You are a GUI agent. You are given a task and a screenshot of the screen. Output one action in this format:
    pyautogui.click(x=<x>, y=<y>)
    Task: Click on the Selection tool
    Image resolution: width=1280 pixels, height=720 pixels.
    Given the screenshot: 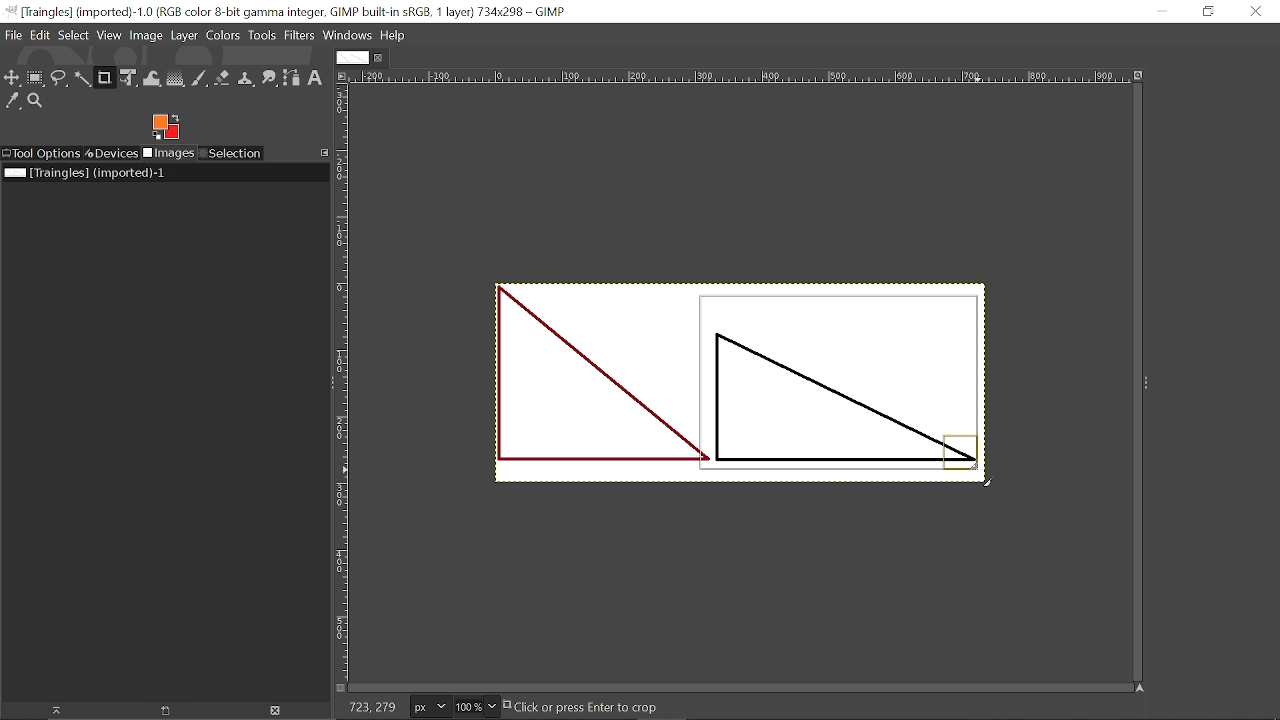 What is the action you would take?
    pyautogui.click(x=231, y=153)
    